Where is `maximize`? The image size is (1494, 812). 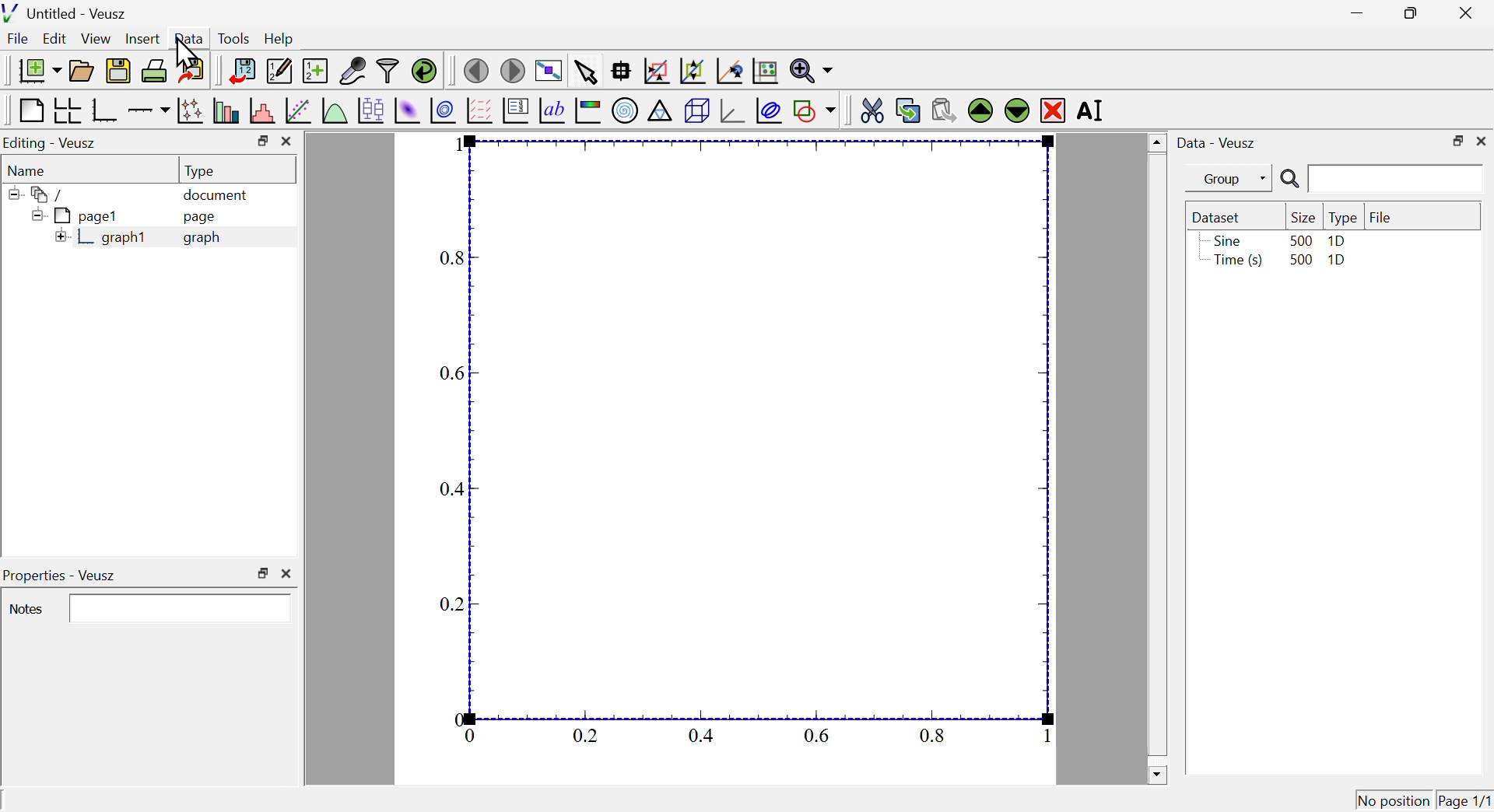
maximize is located at coordinates (260, 141).